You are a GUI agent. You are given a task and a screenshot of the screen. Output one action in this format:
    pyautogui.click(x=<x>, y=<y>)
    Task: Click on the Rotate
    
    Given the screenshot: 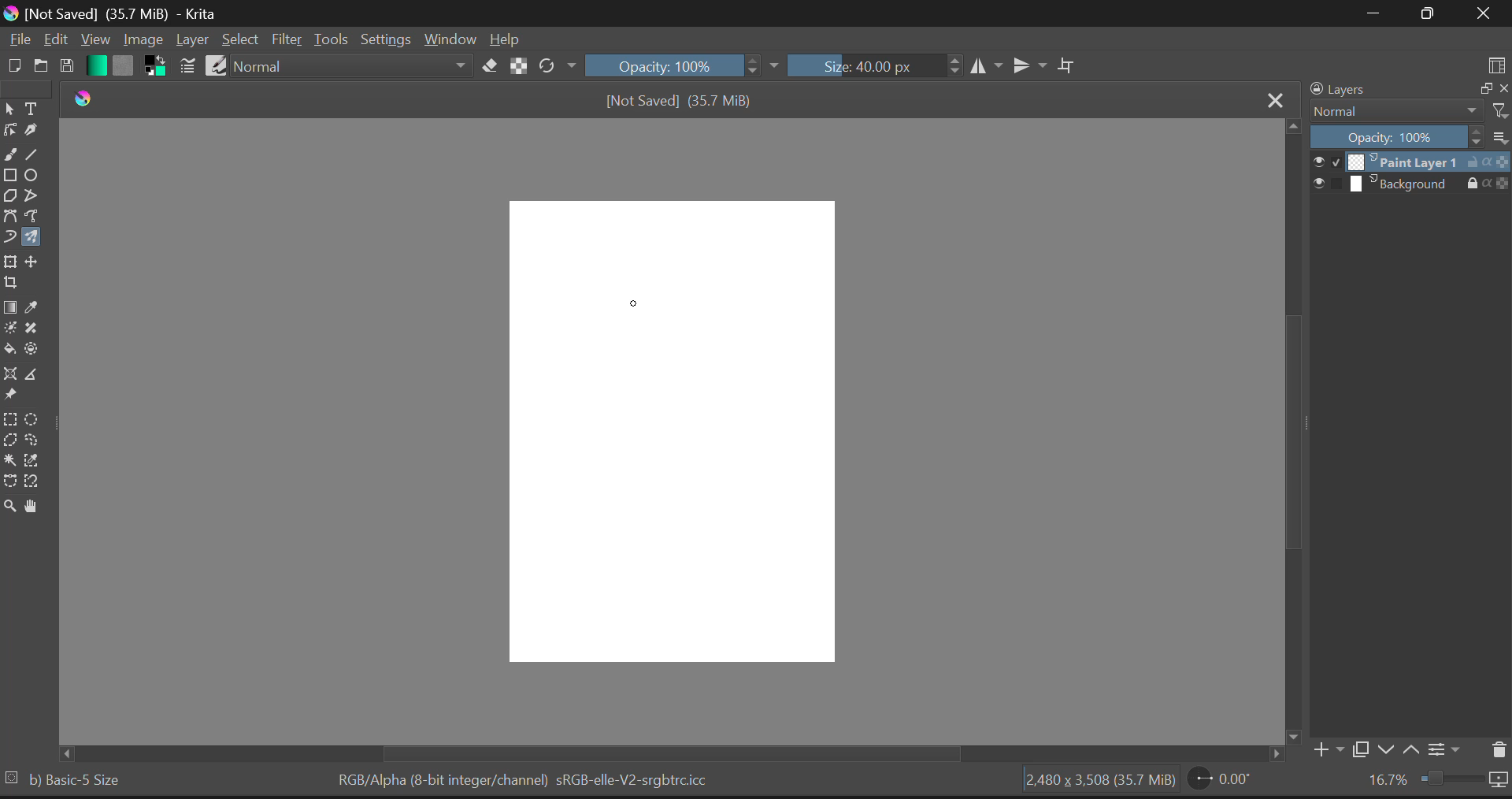 What is the action you would take?
    pyautogui.click(x=557, y=65)
    